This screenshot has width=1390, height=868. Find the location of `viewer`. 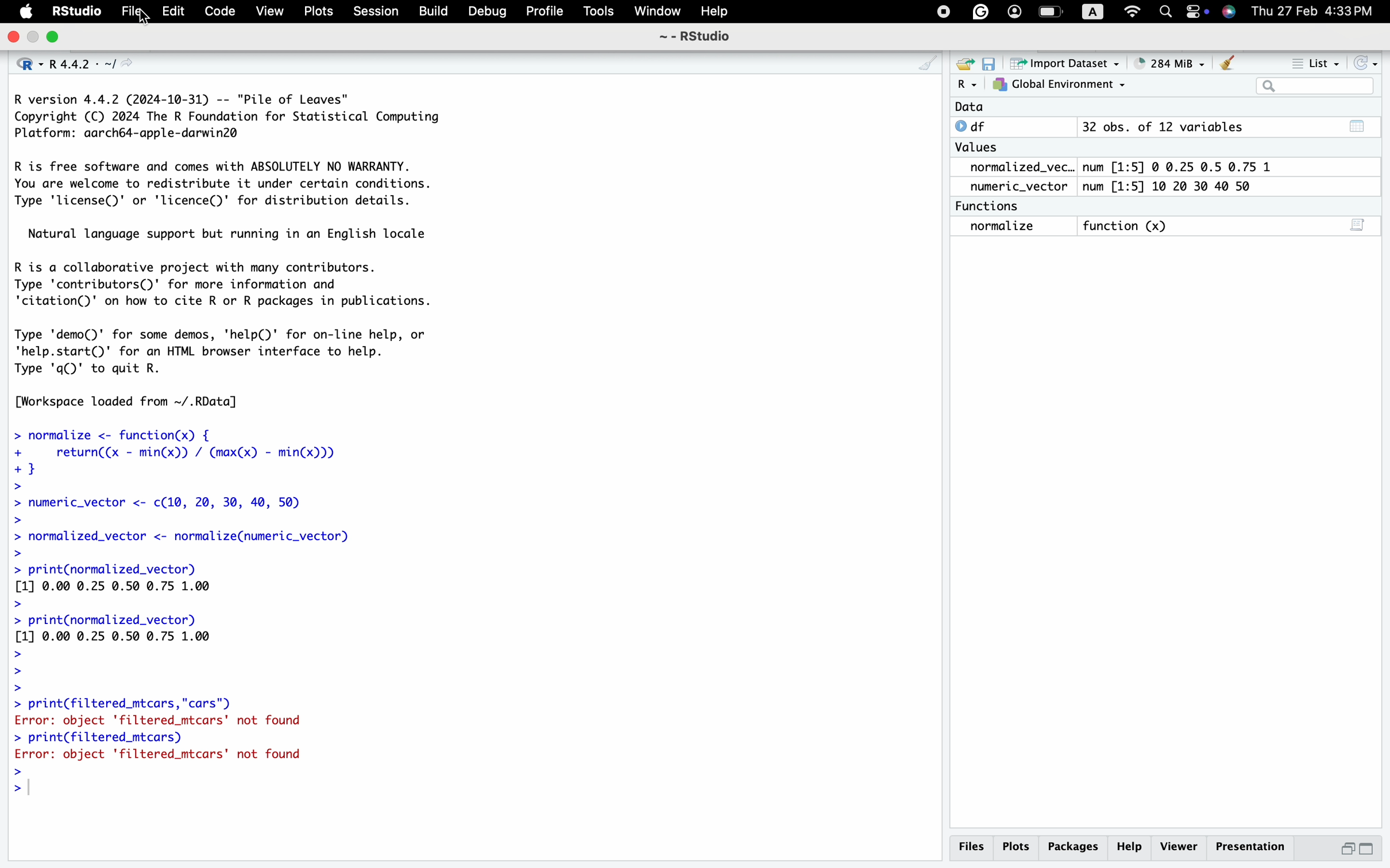

viewer is located at coordinates (1179, 846).